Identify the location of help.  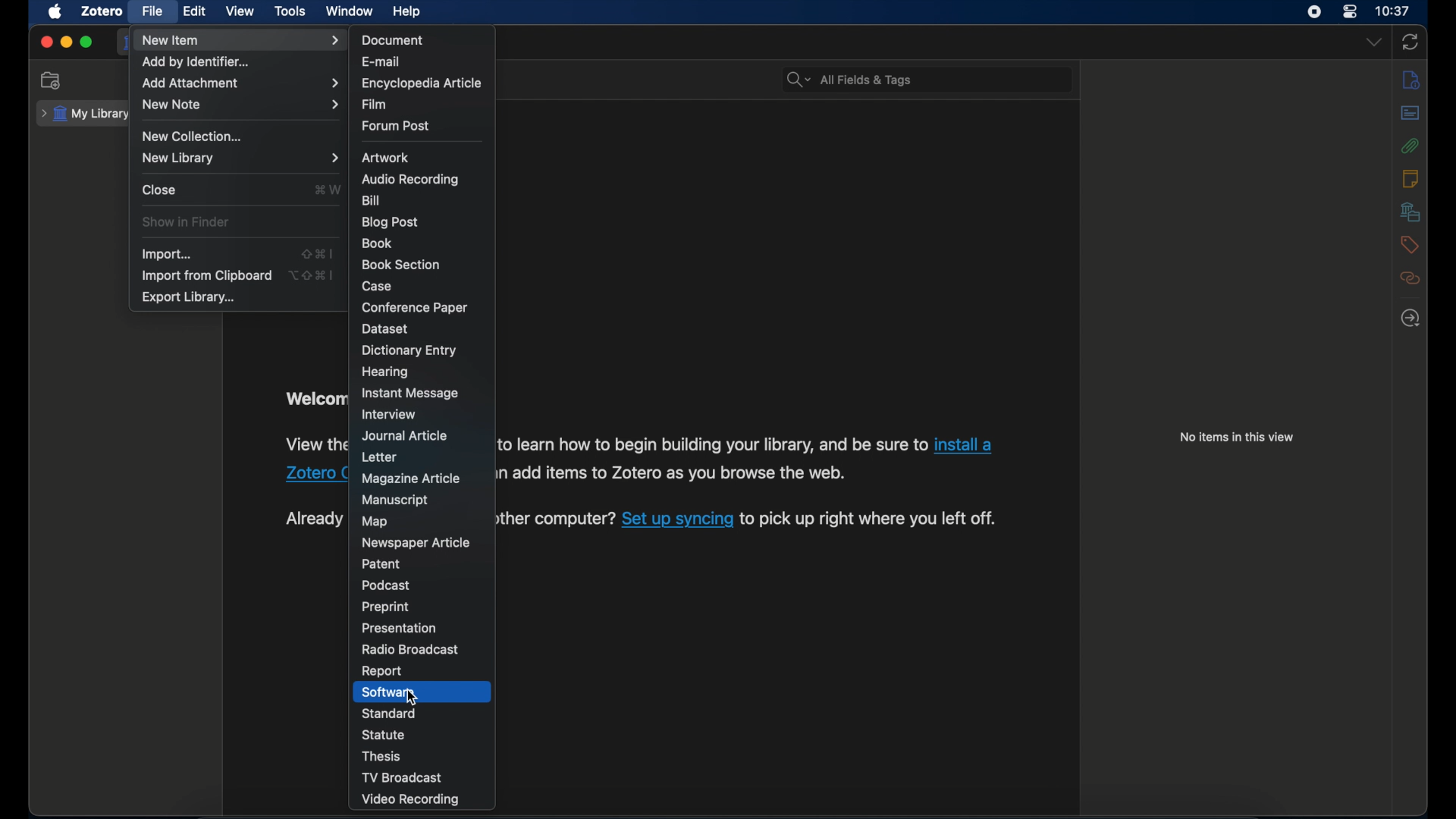
(406, 12).